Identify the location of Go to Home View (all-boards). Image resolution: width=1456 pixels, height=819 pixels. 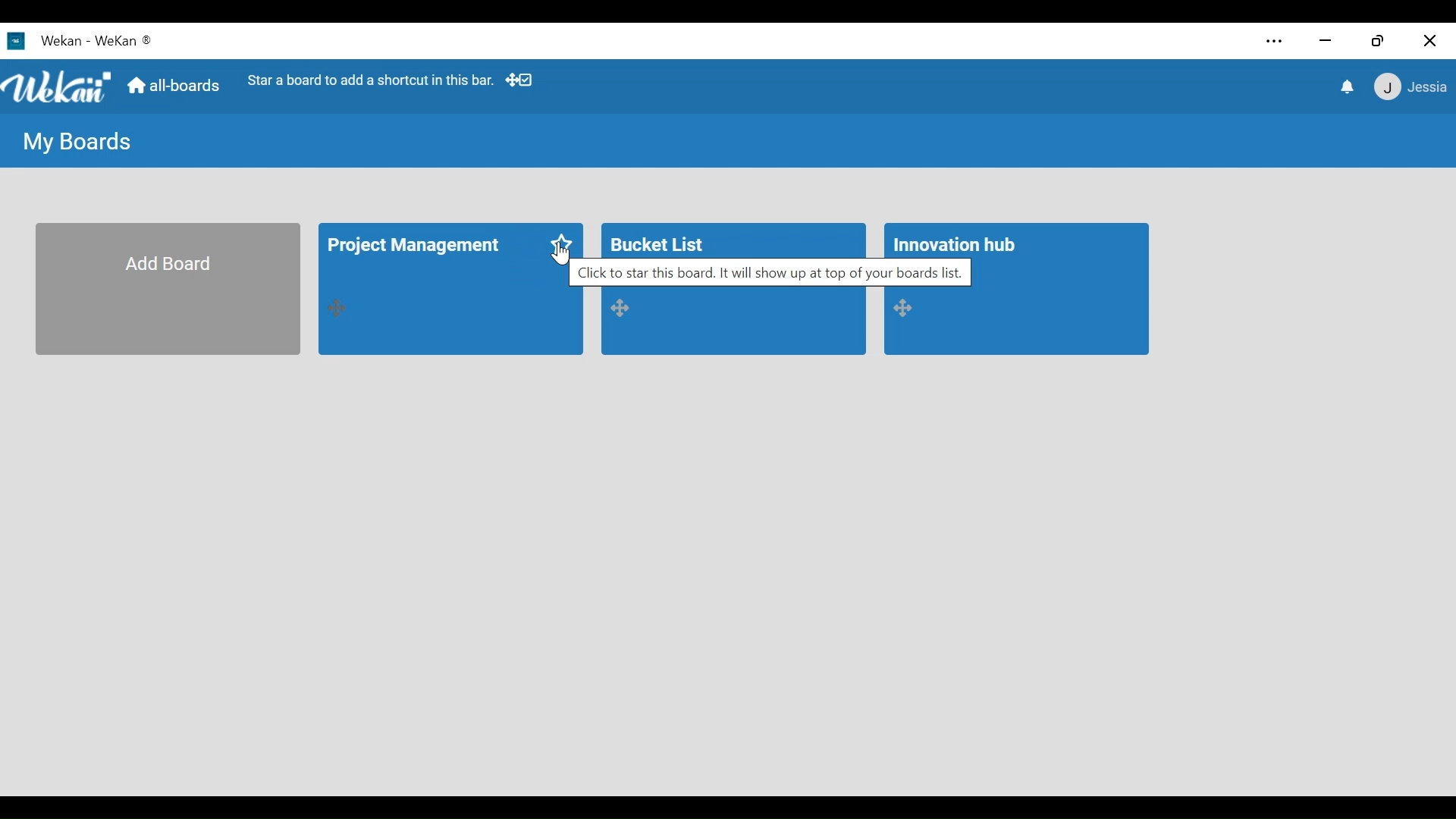
(175, 88).